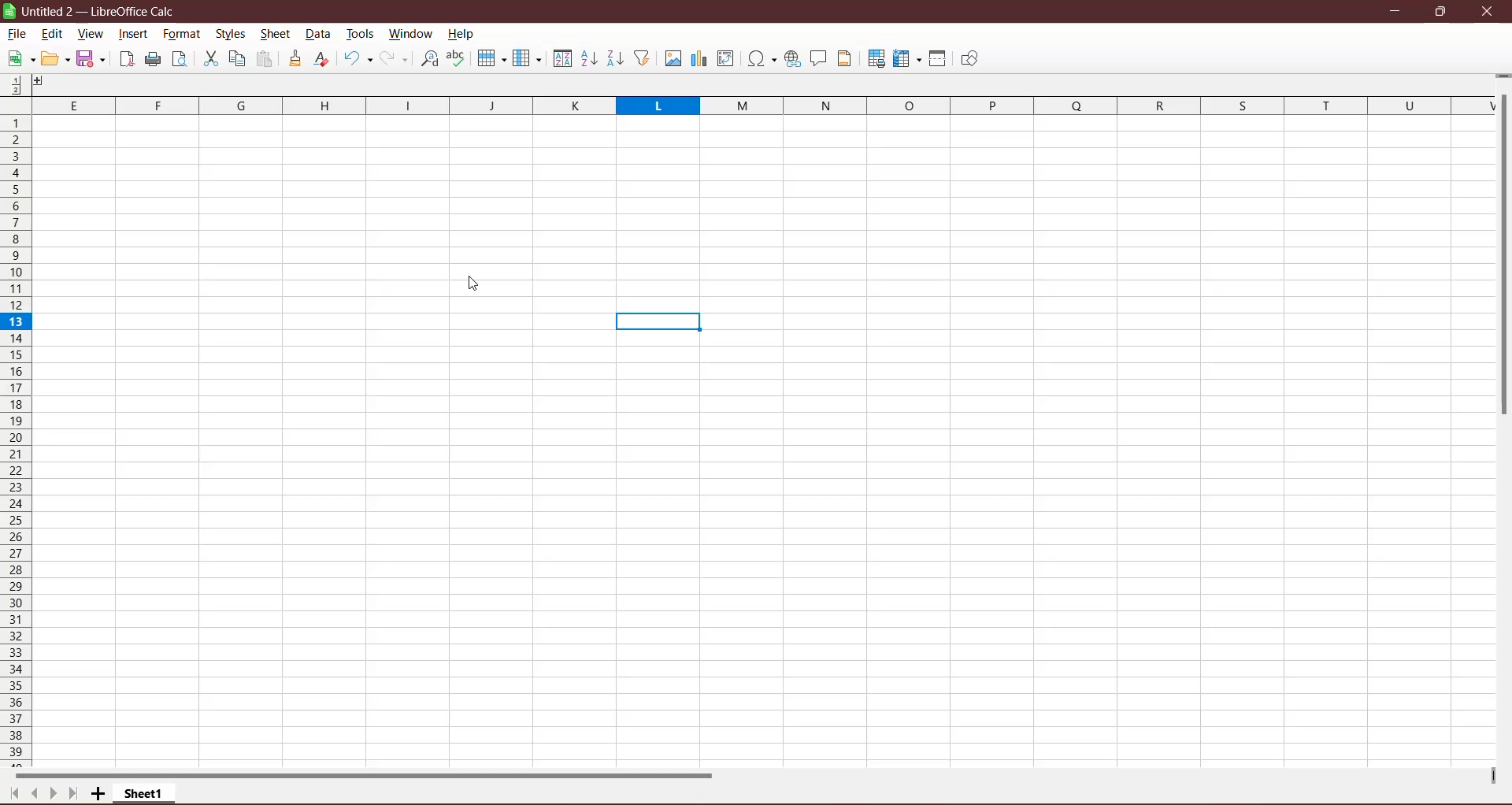 The height and width of the screenshot is (805, 1512). I want to click on Columns, so click(527, 58).